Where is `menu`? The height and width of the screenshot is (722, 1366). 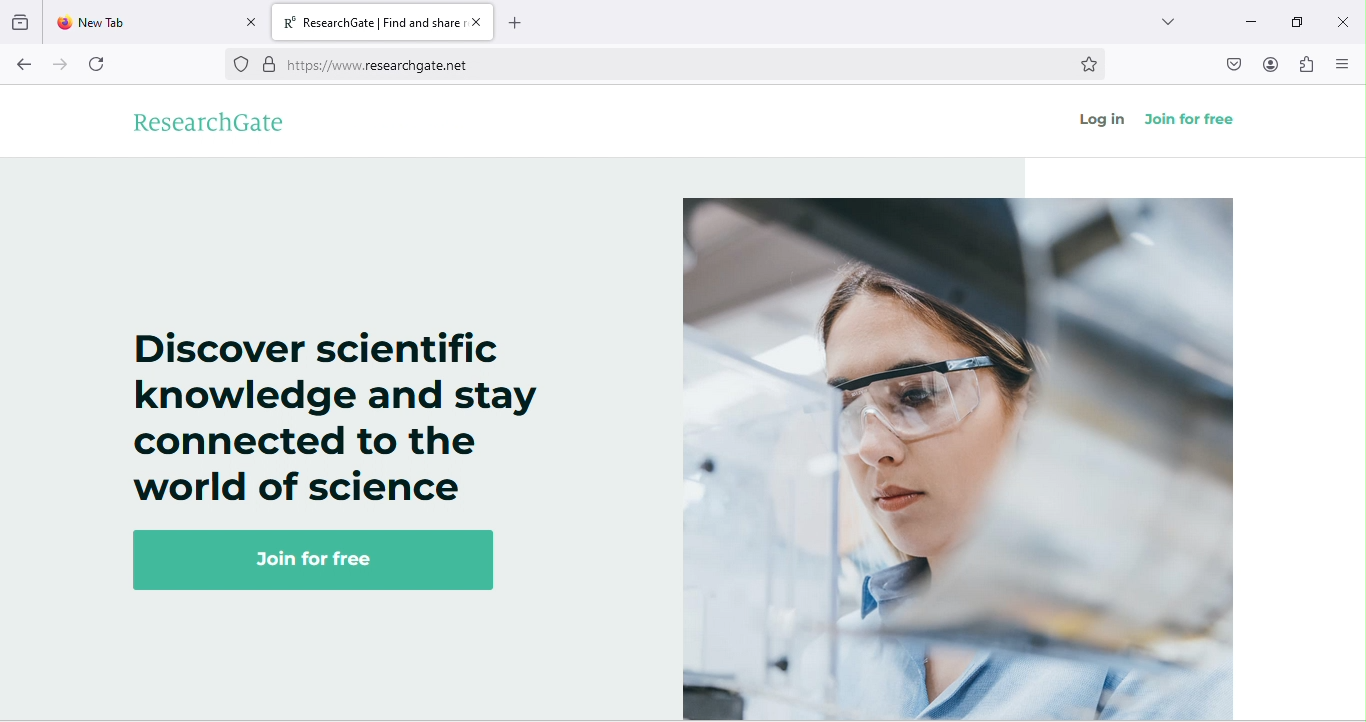 menu is located at coordinates (1349, 63).